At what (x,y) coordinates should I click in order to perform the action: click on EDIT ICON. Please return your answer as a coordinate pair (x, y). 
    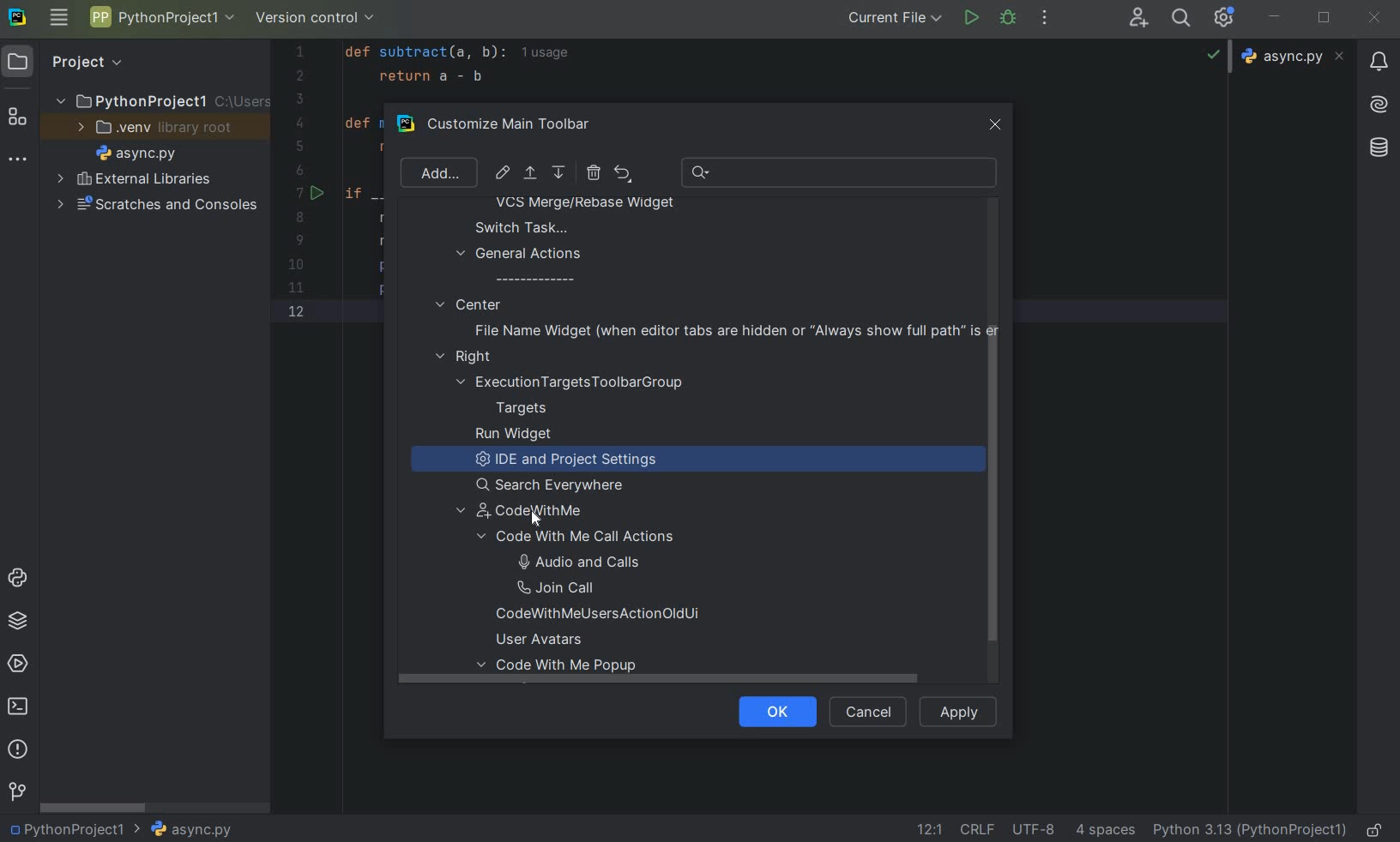
    Looking at the image, I should click on (503, 172).